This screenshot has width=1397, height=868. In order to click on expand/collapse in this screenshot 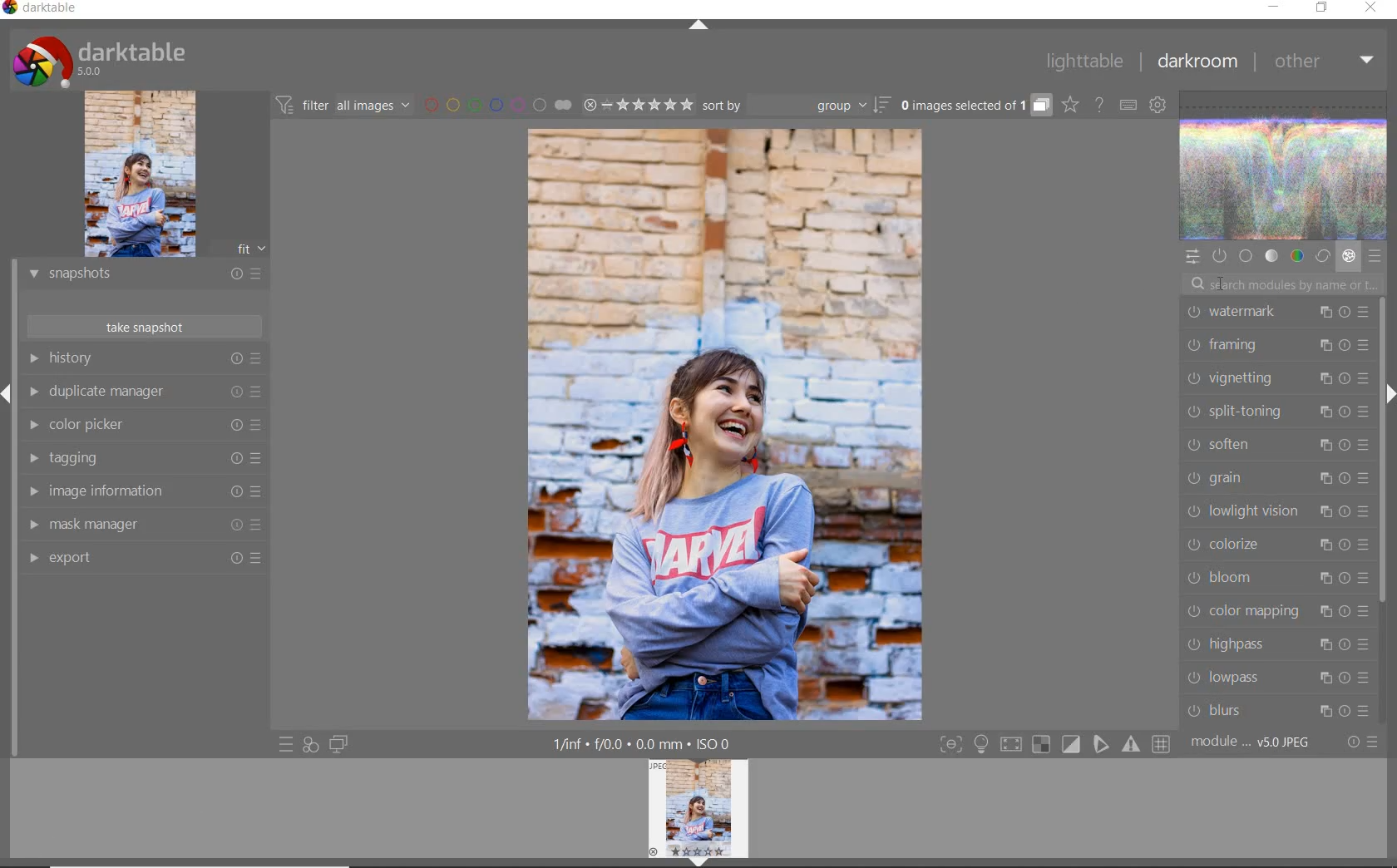, I will do `click(698, 25)`.